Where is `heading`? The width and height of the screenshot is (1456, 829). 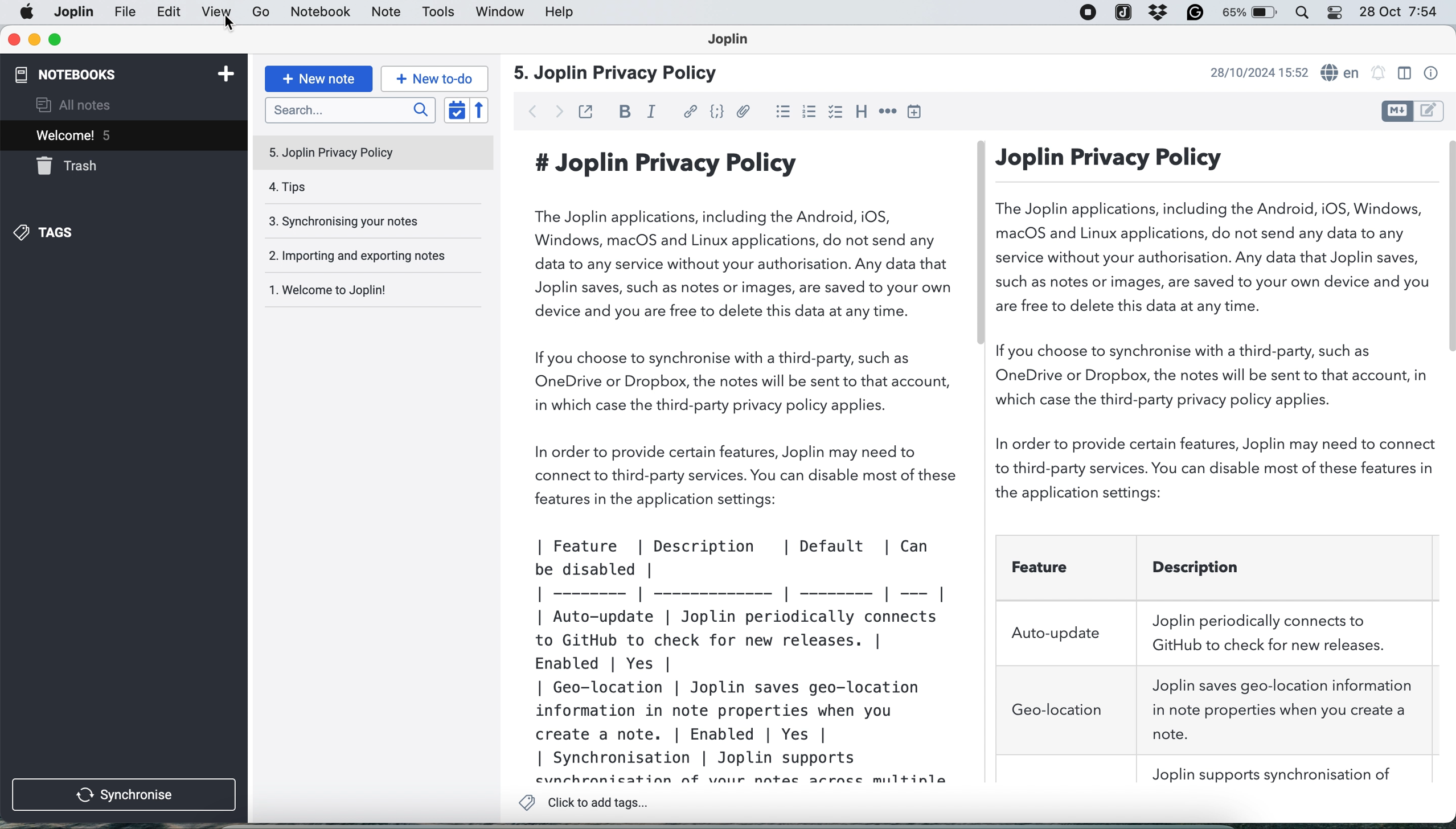 heading is located at coordinates (860, 113).